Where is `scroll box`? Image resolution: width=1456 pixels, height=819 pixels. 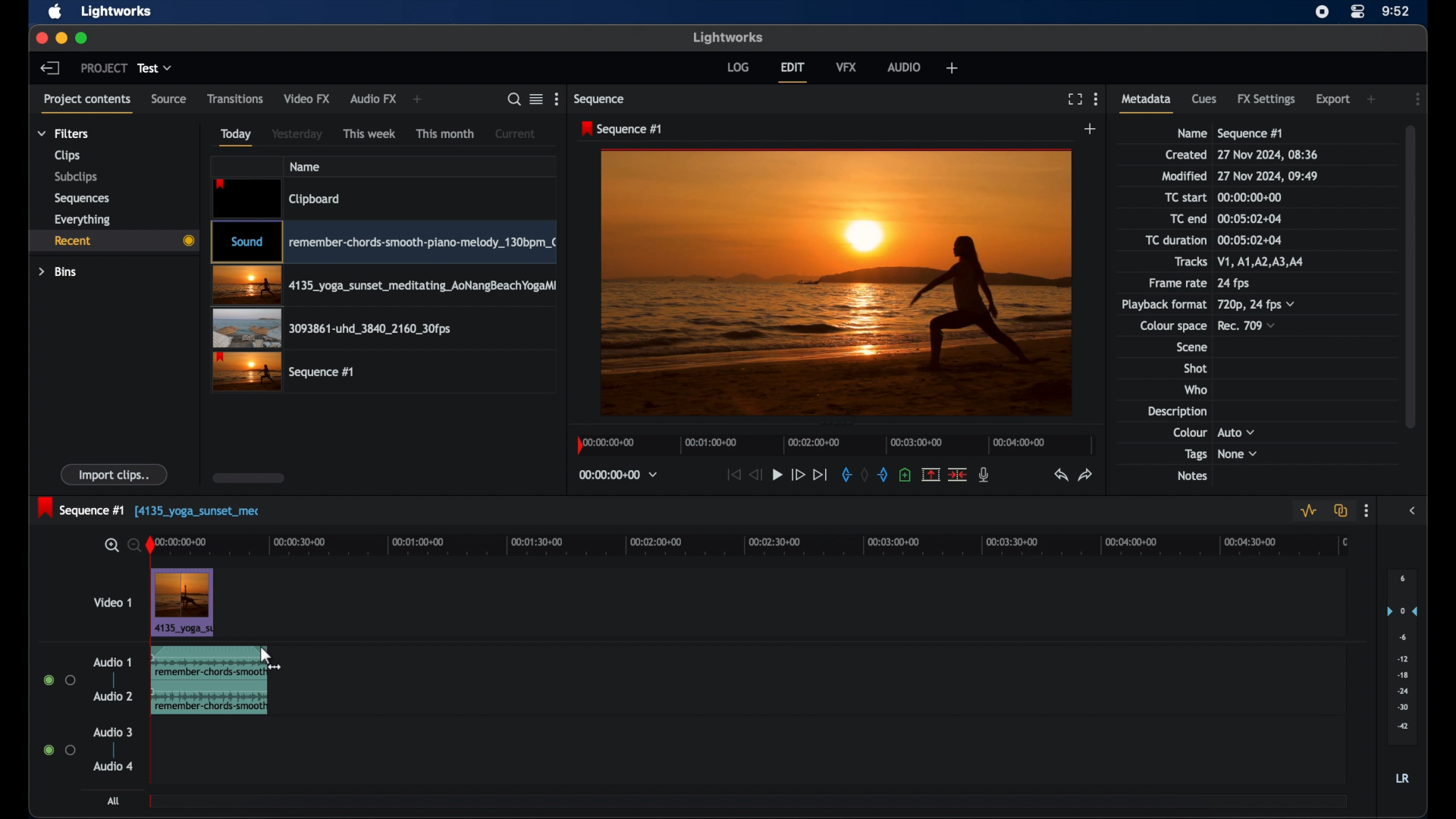 scroll box is located at coordinates (1414, 275).